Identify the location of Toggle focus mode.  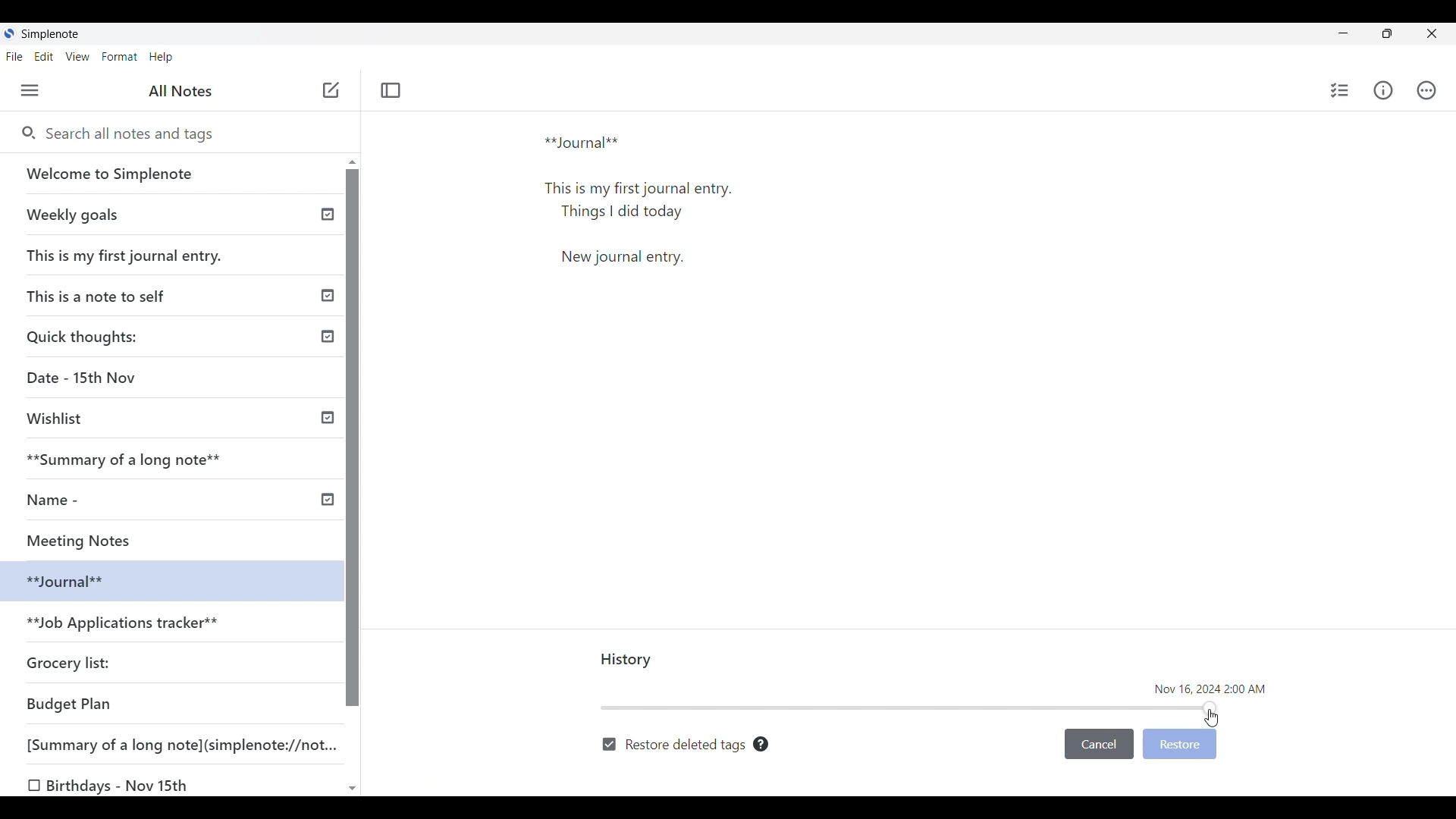
(391, 90).